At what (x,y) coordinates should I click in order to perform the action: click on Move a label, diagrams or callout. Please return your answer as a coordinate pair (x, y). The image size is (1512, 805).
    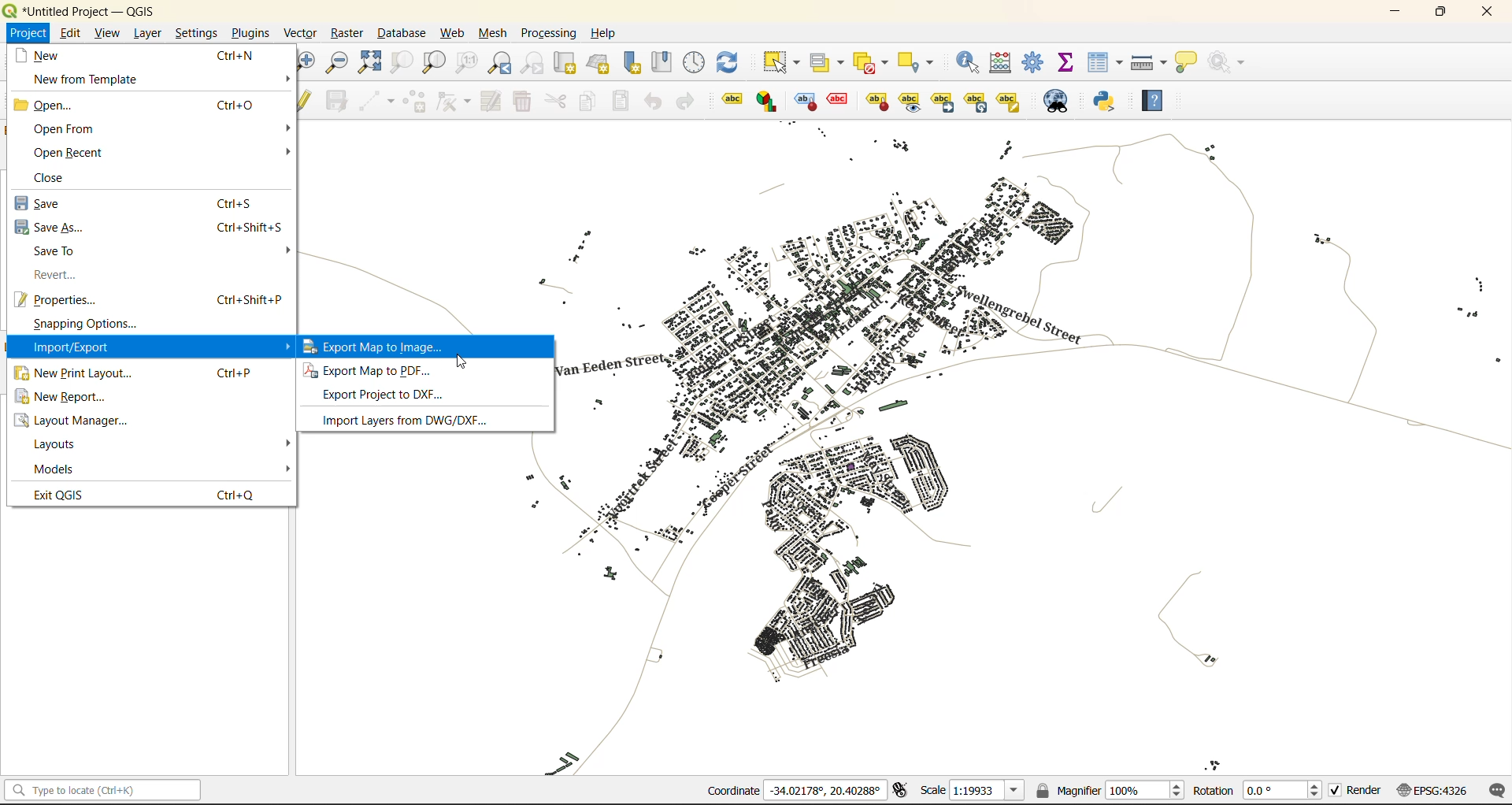
    Looking at the image, I should click on (943, 101).